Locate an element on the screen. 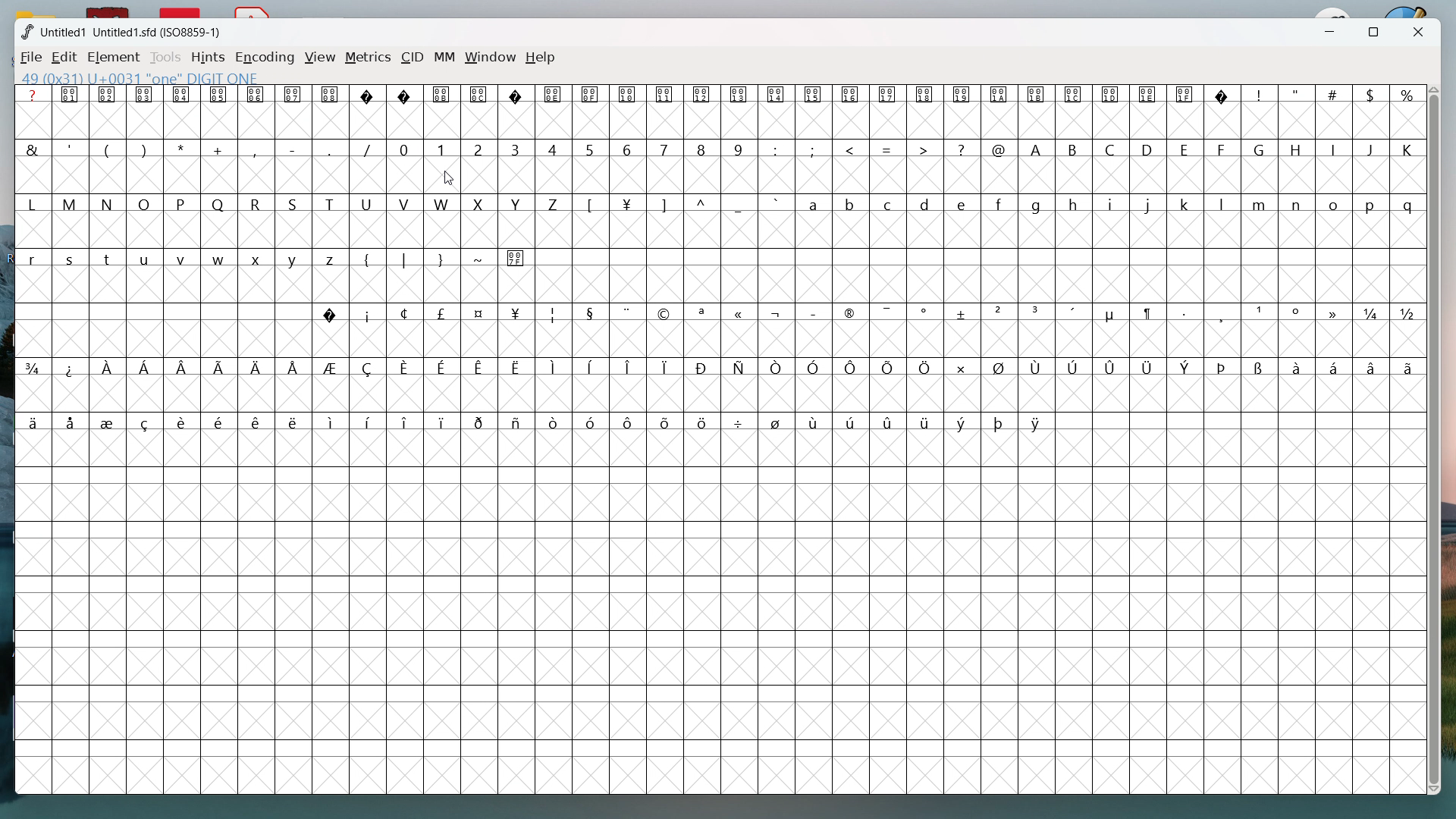  symbol is located at coordinates (295, 423).